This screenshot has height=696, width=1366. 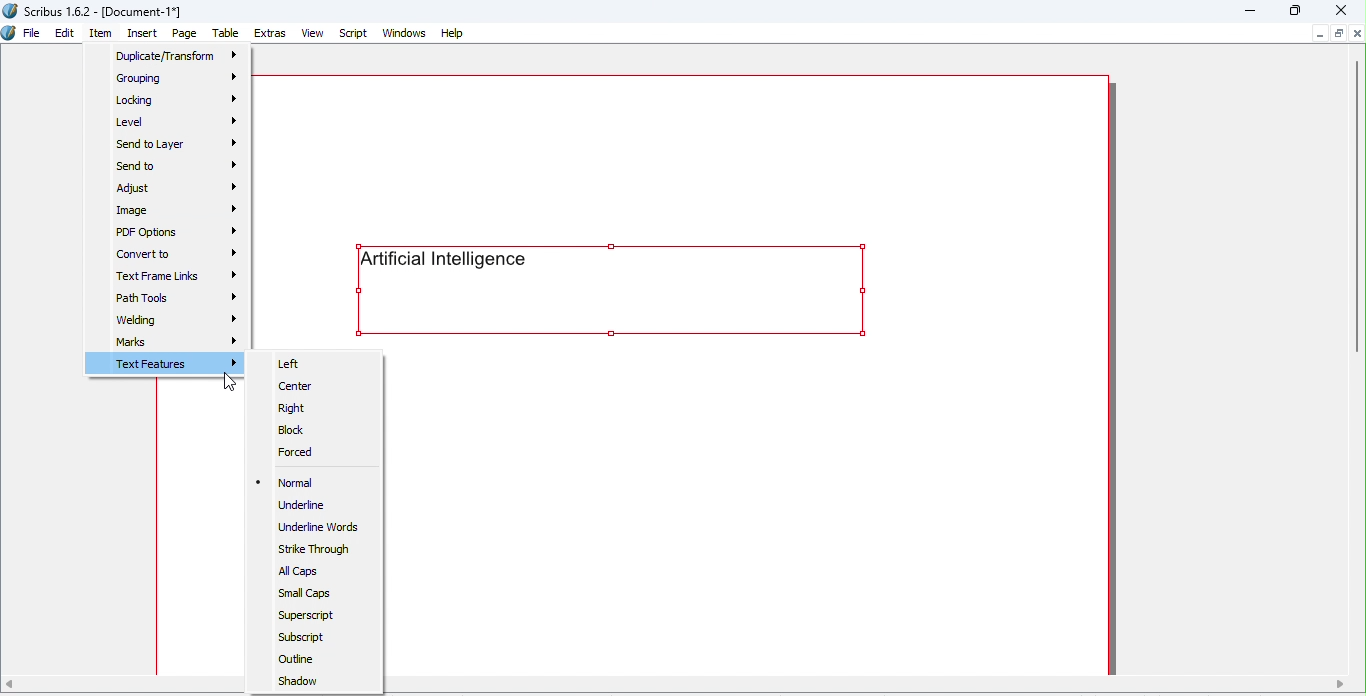 I want to click on All caps, so click(x=300, y=573).